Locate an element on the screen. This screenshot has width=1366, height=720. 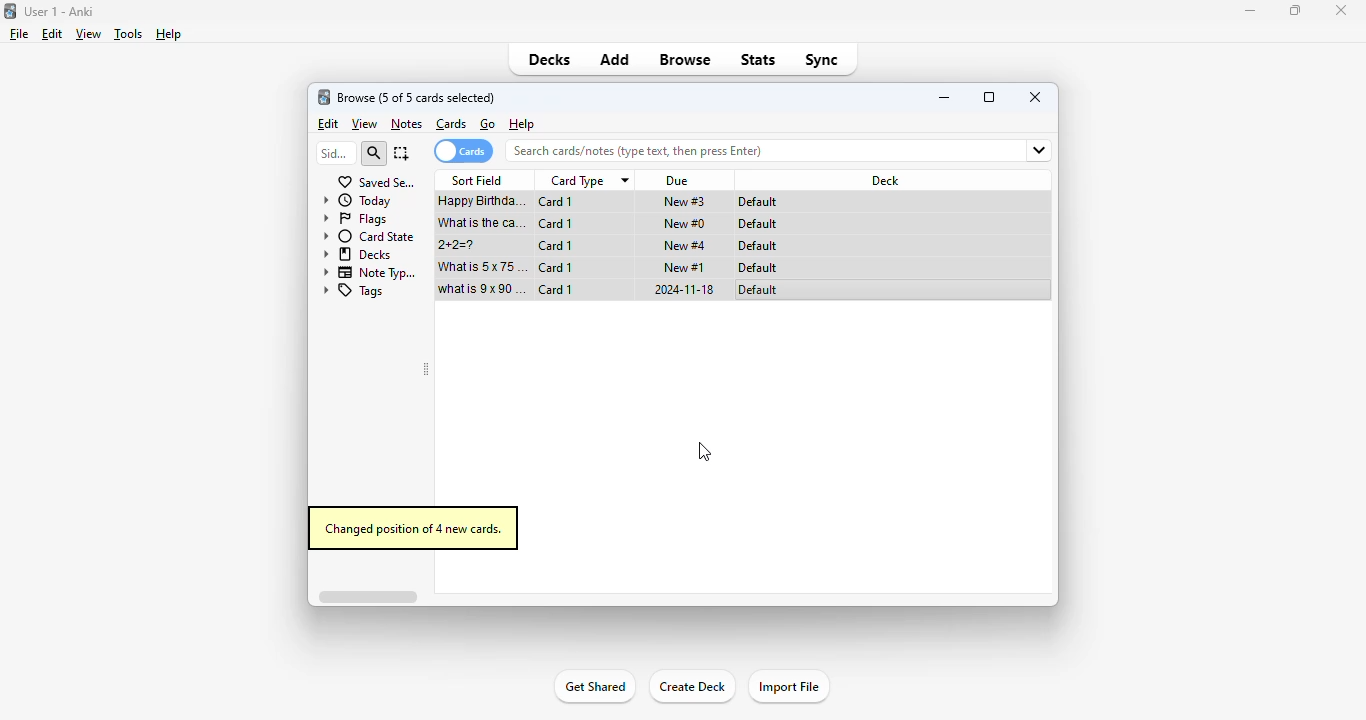
deck is located at coordinates (887, 180).